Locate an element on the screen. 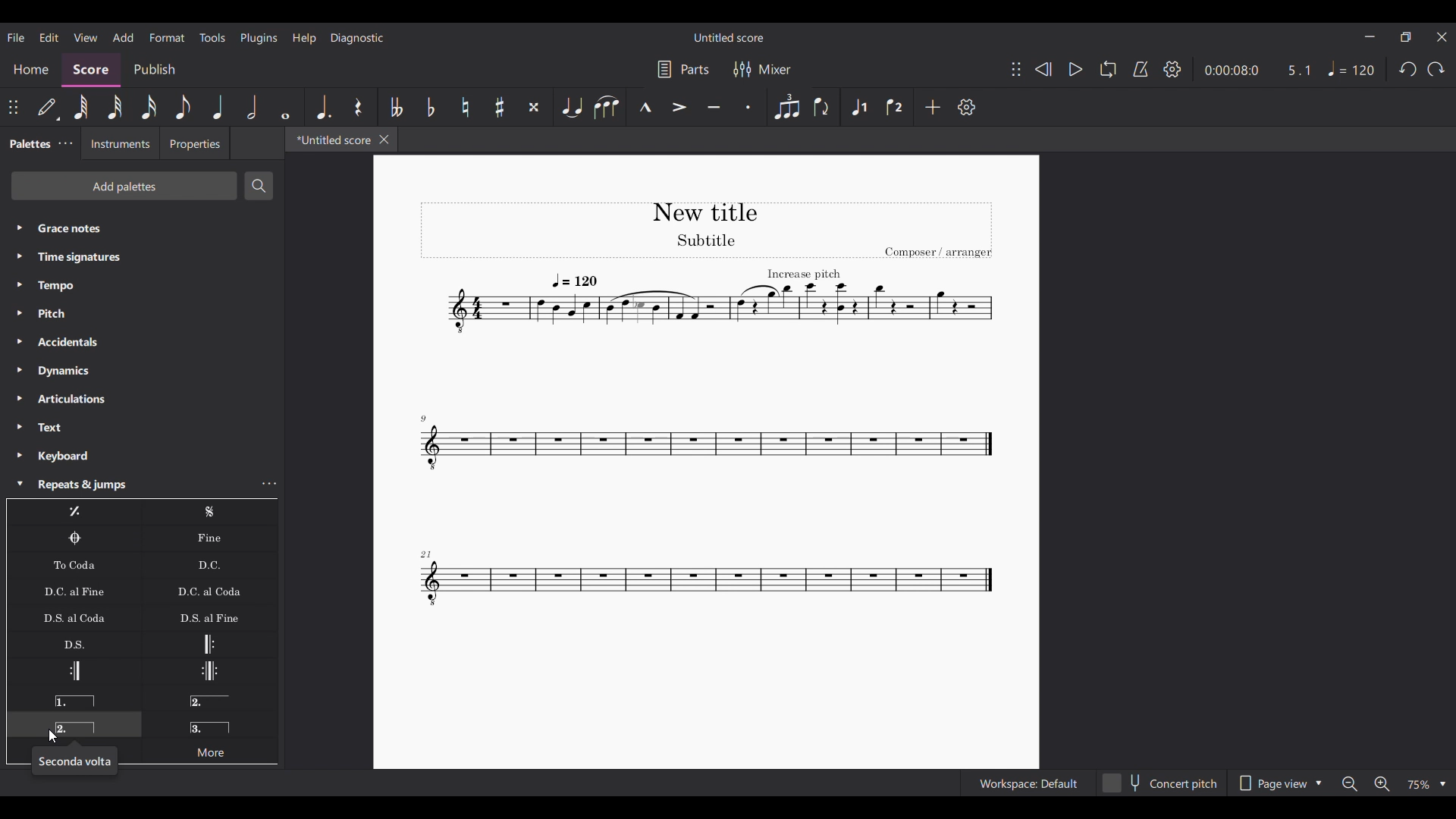 This screenshot has width=1456, height=819. Quarter note is located at coordinates (218, 107).